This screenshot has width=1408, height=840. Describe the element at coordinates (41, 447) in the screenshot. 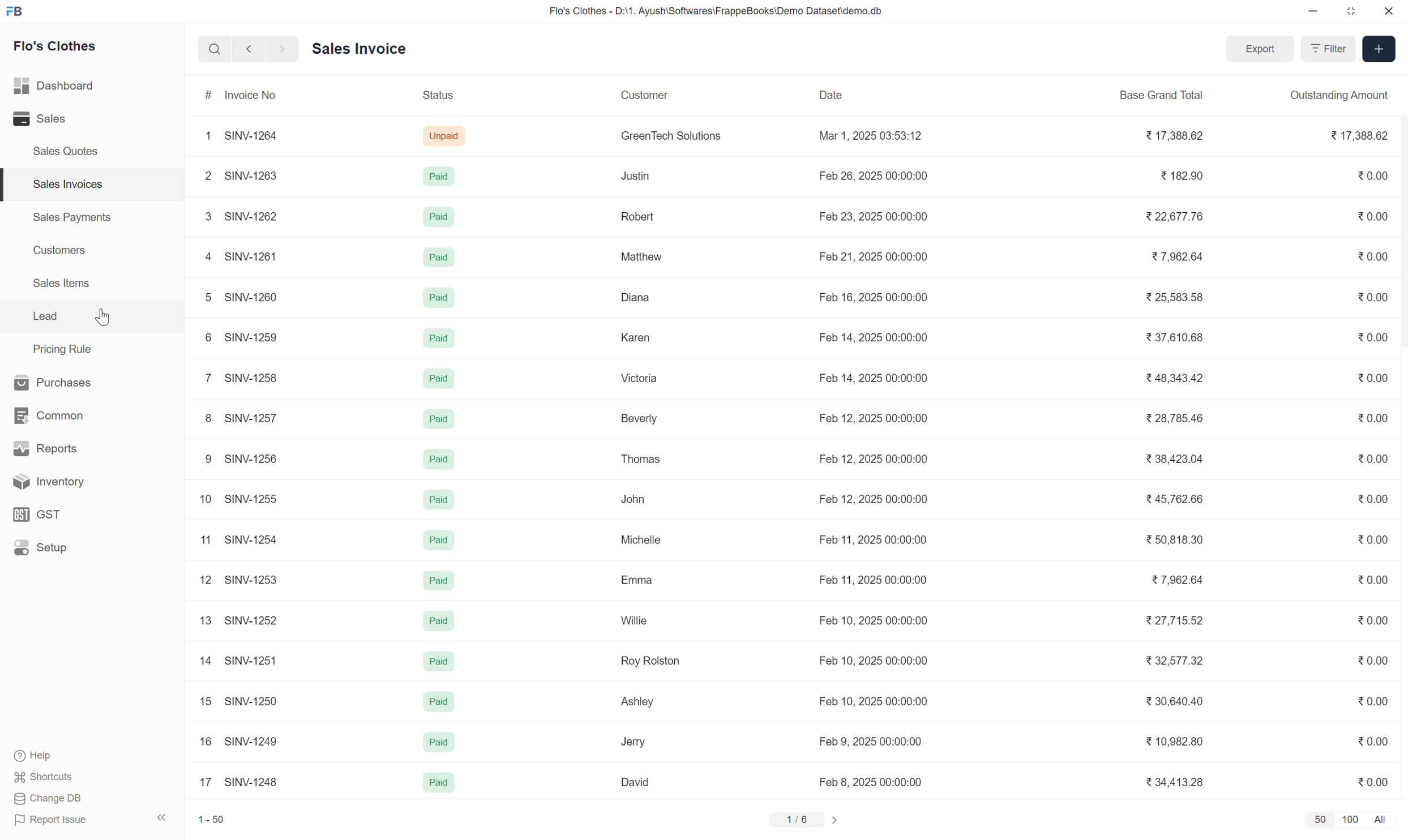

I see ` Reports` at that location.